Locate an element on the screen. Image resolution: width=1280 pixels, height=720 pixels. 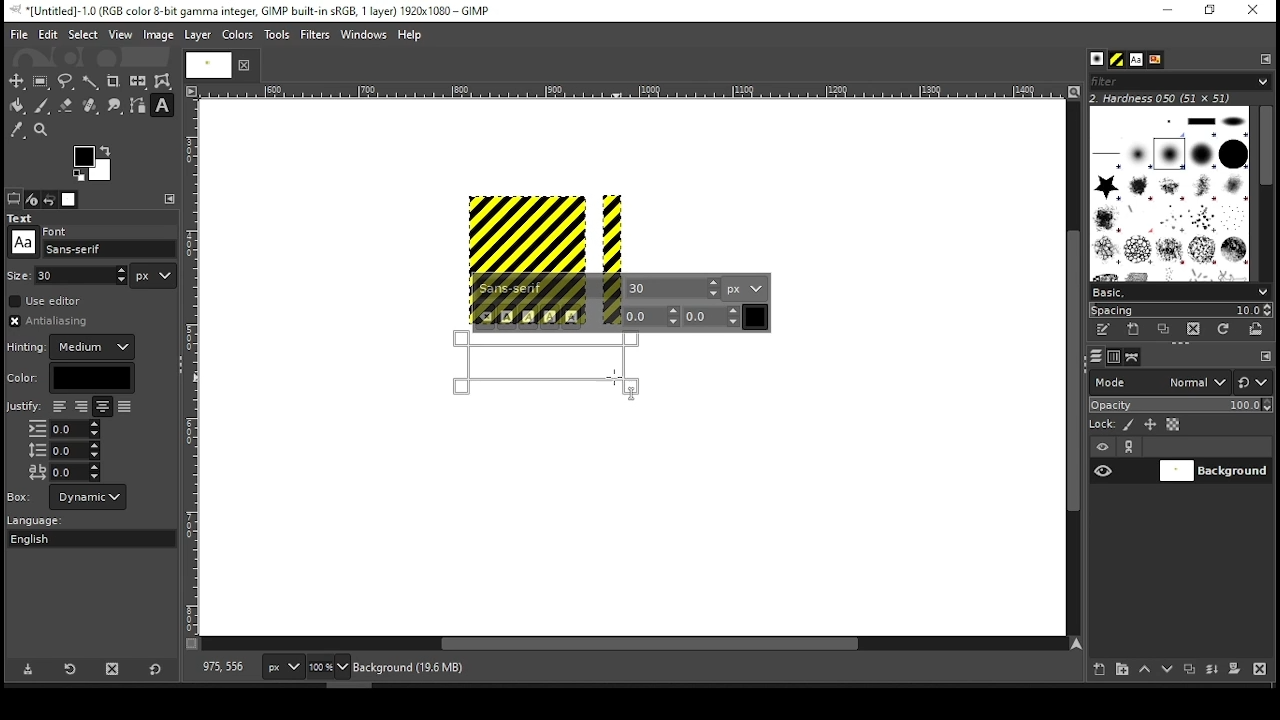
edit this brush is located at coordinates (1102, 331).